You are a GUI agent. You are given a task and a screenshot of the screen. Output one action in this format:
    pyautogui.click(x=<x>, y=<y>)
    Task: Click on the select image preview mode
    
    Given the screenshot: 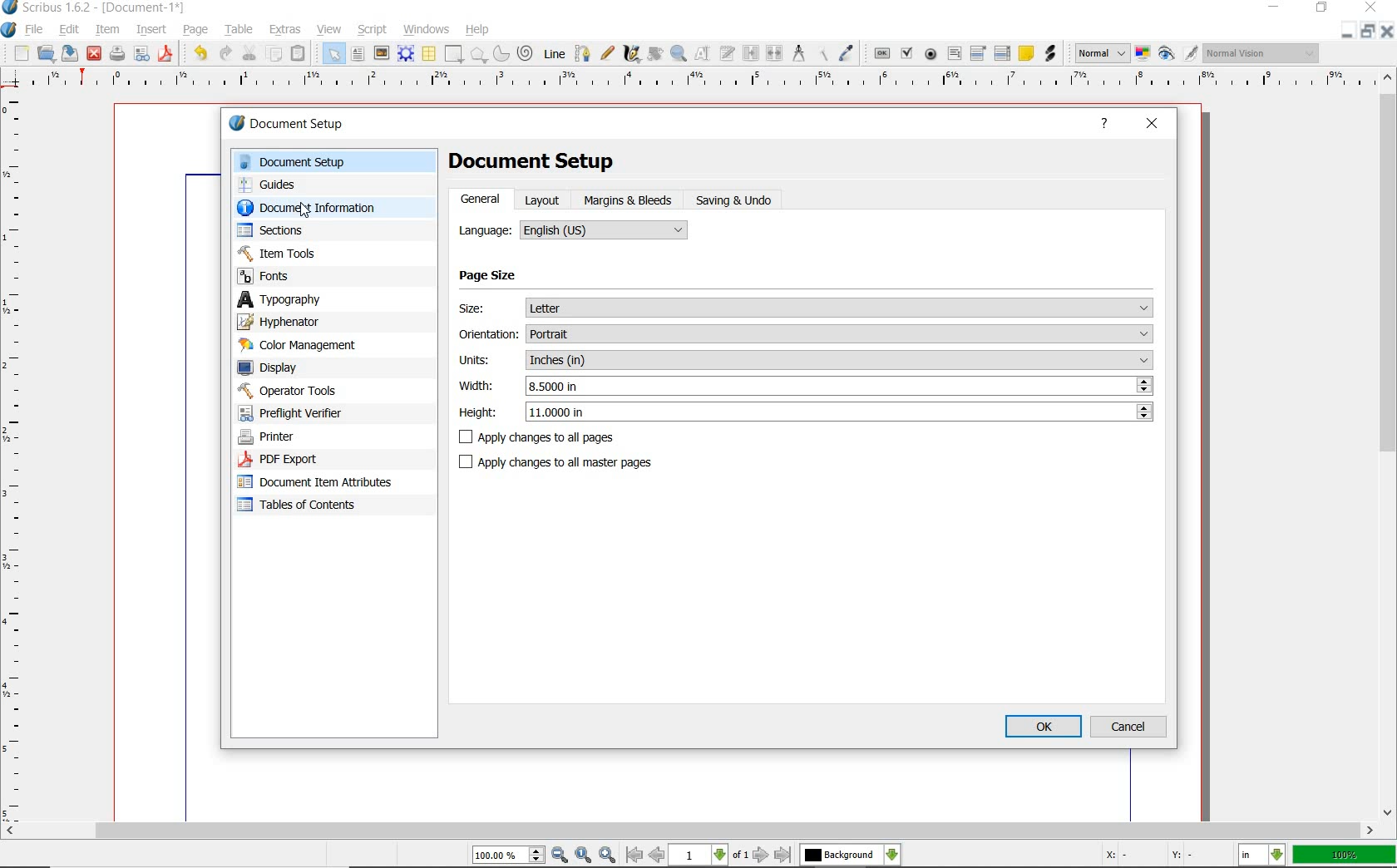 What is the action you would take?
    pyautogui.click(x=1102, y=54)
    